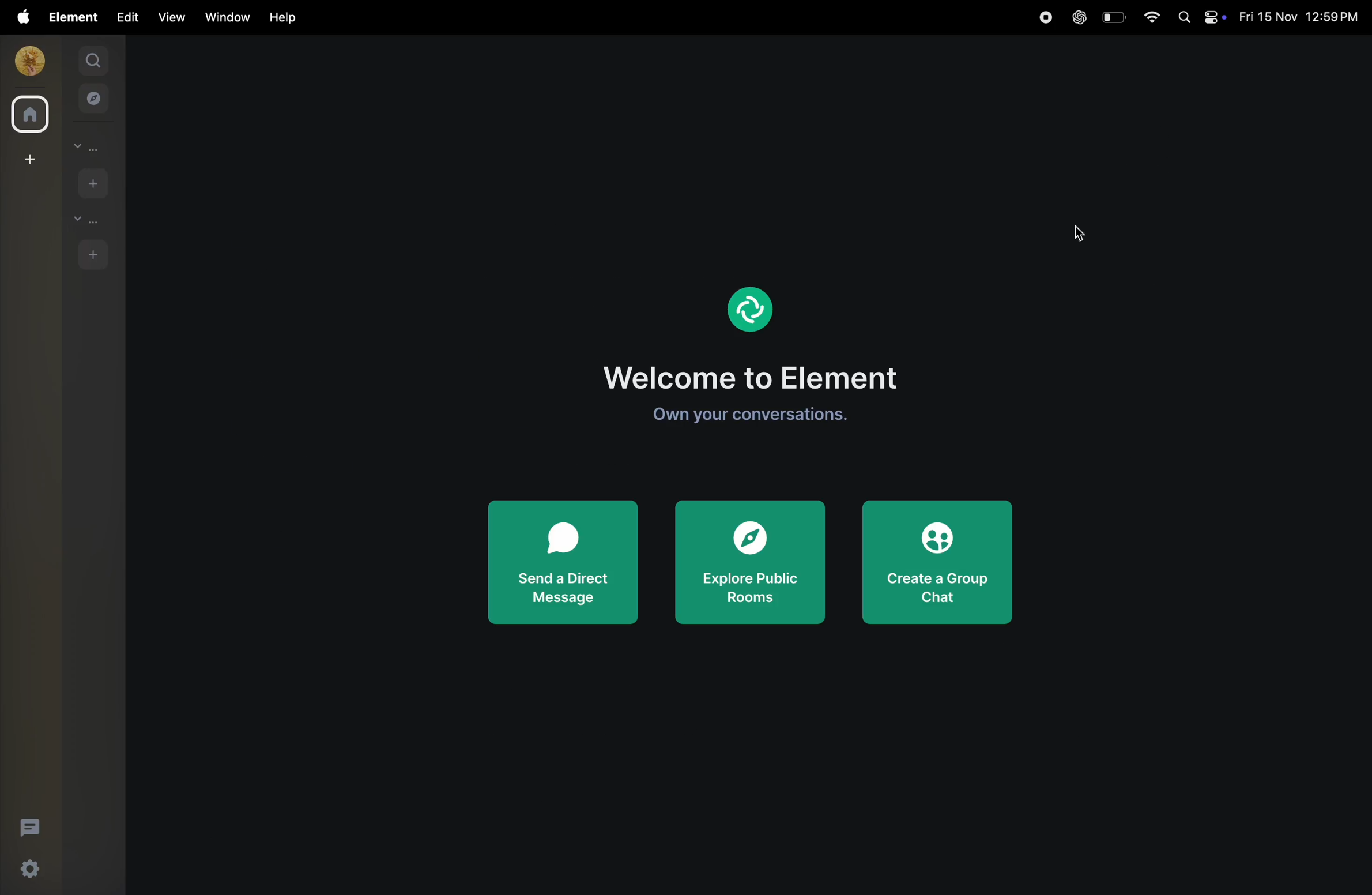 This screenshot has height=895, width=1372. I want to click on search1, so click(95, 59).